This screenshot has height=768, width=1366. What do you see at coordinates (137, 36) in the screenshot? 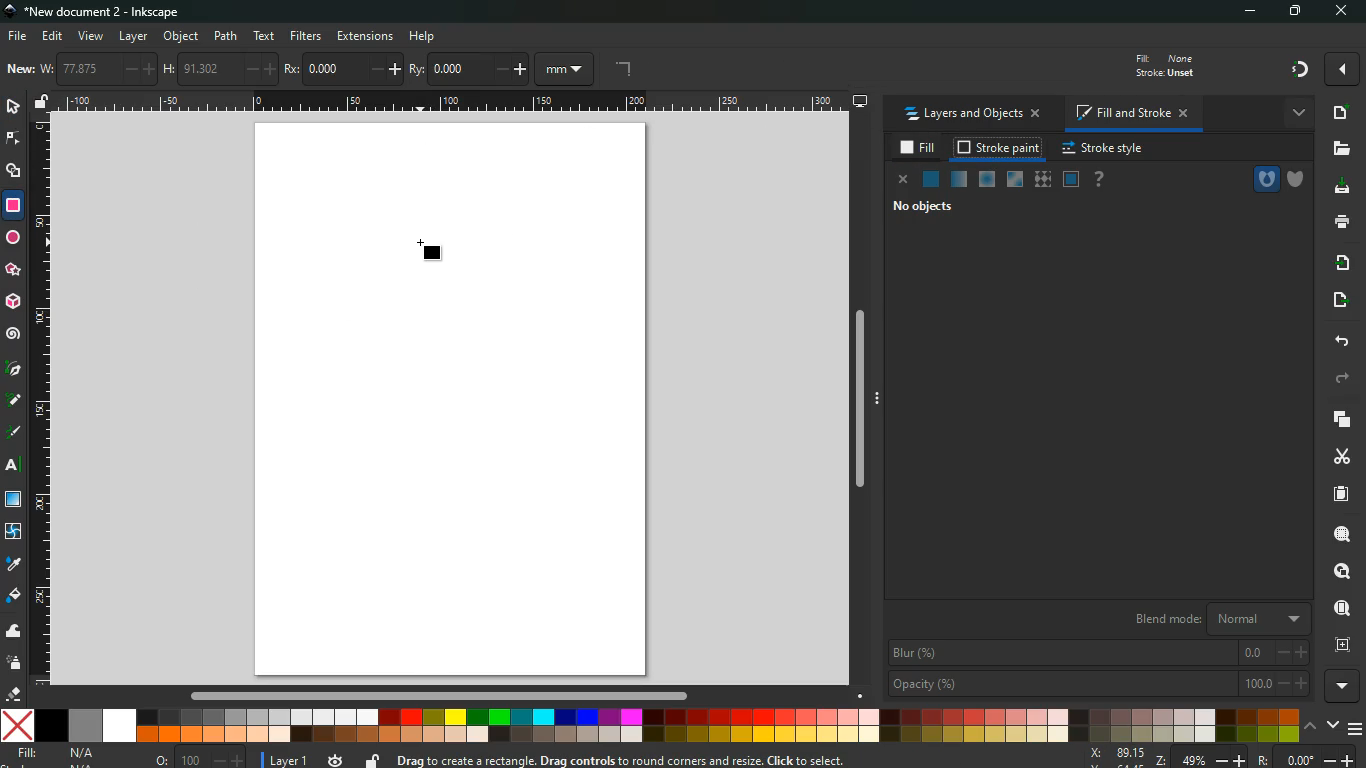
I see `layer` at bounding box center [137, 36].